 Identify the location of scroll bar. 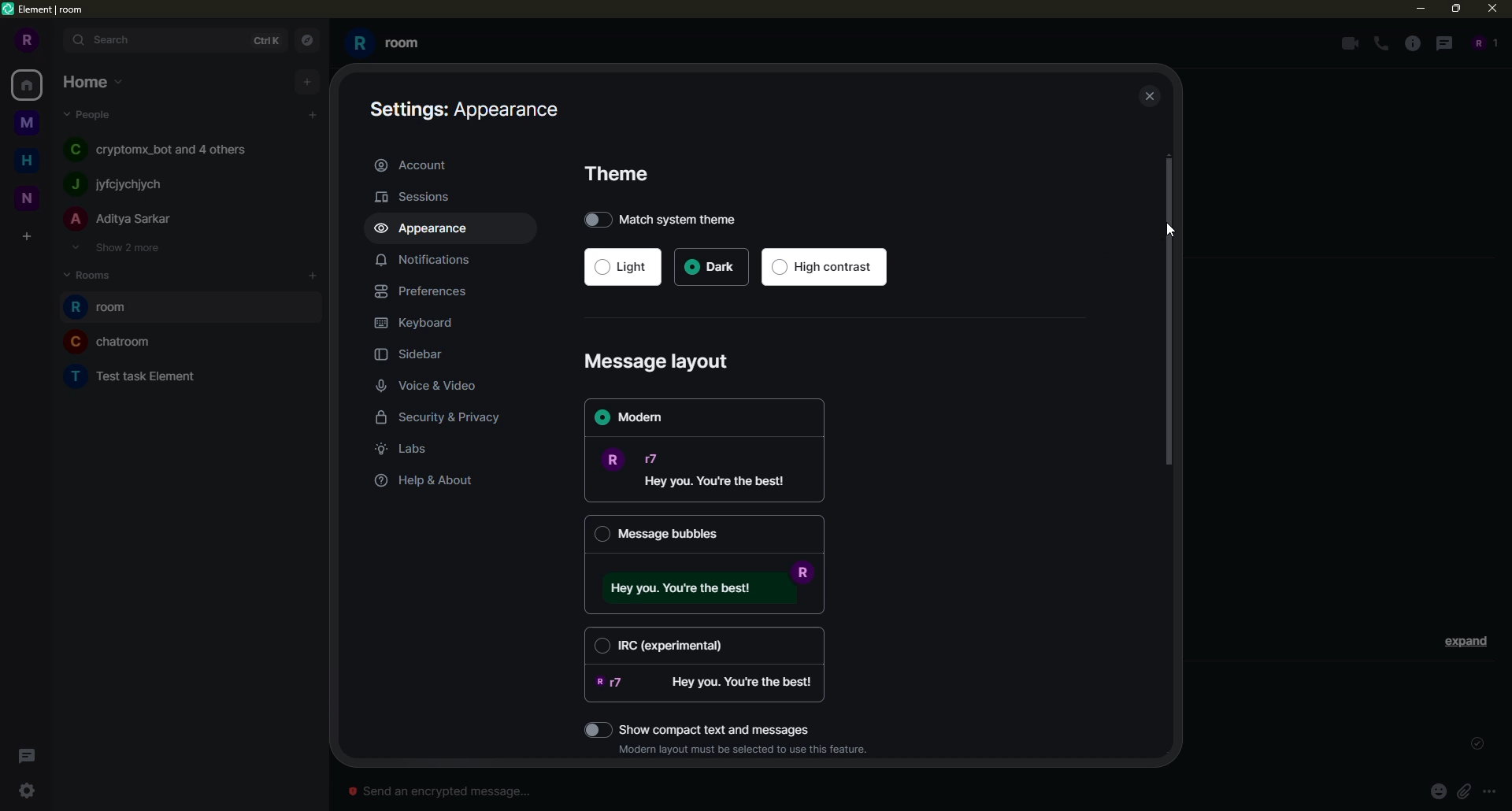
(1170, 315).